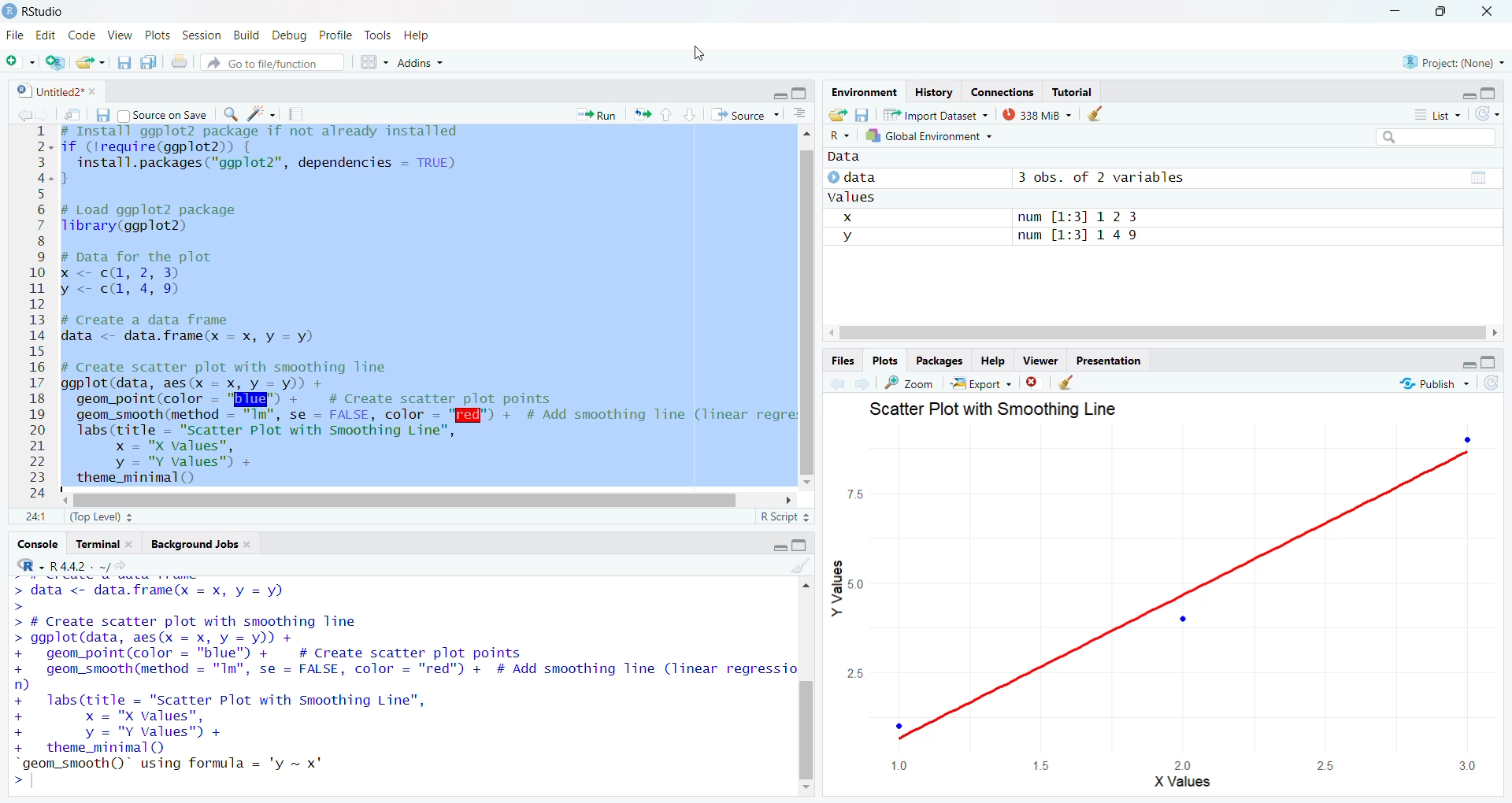 This screenshot has height=803, width=1512. I want to click on close, so click(1492, 12).